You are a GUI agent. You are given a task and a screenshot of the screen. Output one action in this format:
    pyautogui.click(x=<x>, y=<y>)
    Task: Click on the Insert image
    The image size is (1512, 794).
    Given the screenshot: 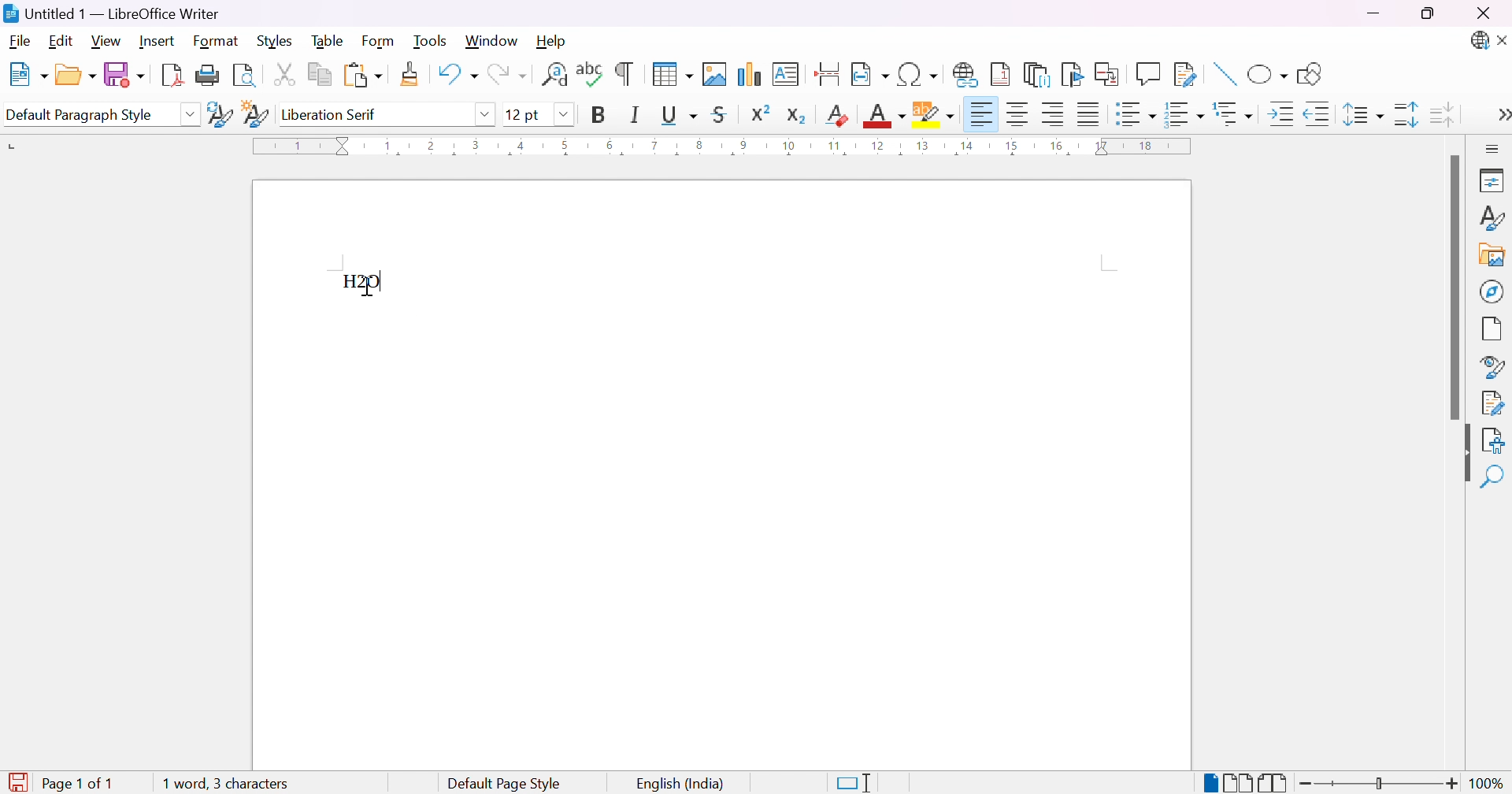 What is the action you would take?
    pyautogui.click(x=716, y=74)
    